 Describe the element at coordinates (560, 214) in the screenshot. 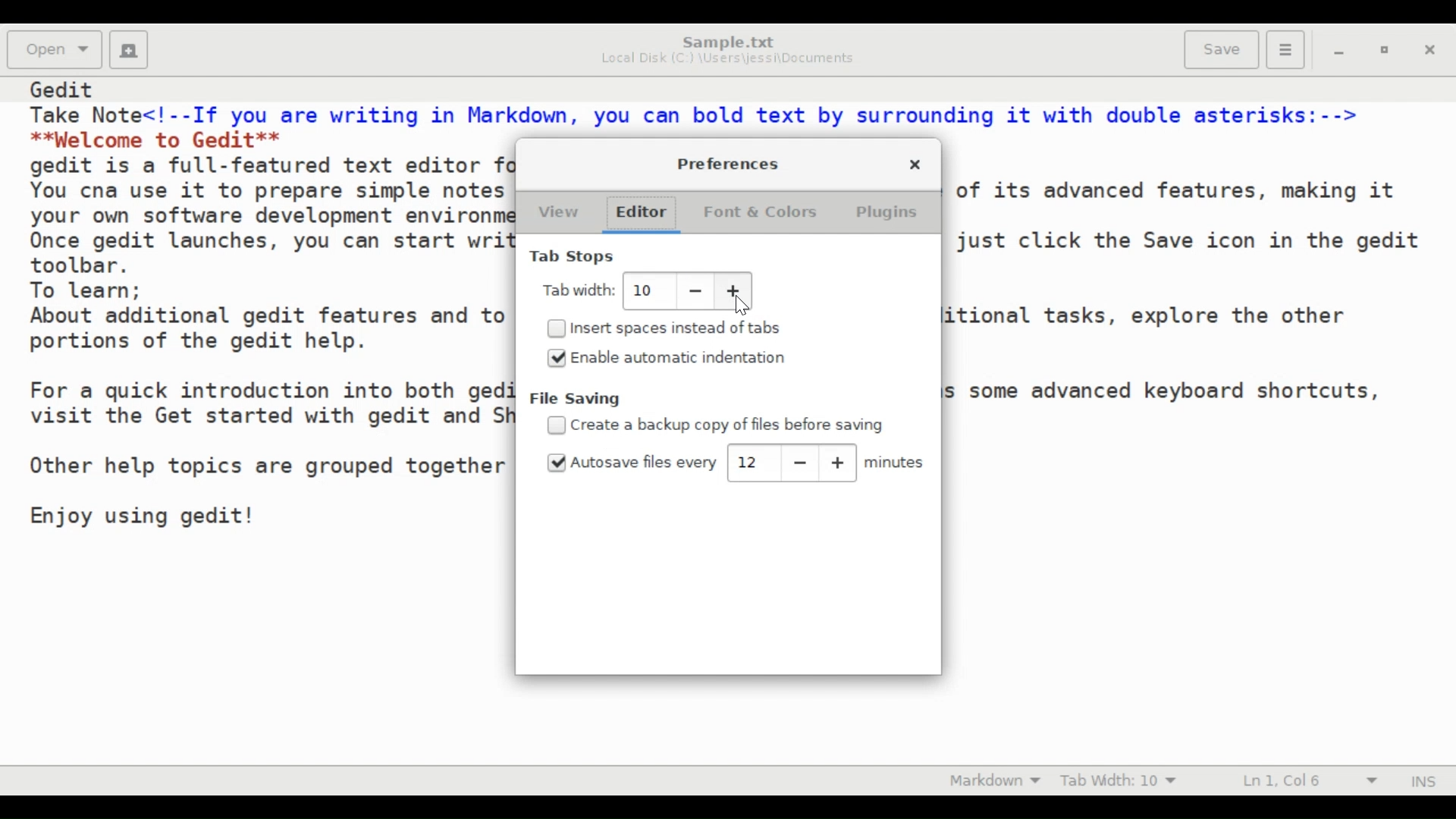

I see `View` at that location.